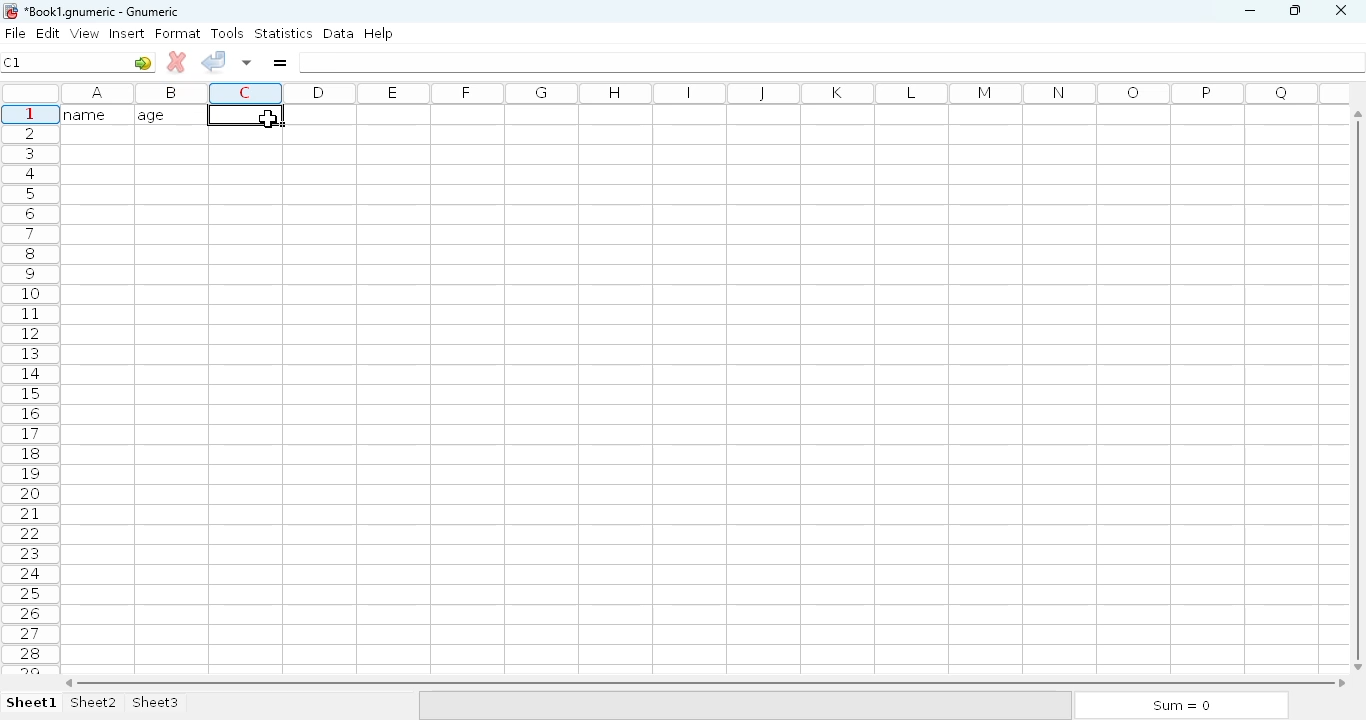 The height and width of the screenshot is (720, 1366). I want to click on view, so click(85, 33).